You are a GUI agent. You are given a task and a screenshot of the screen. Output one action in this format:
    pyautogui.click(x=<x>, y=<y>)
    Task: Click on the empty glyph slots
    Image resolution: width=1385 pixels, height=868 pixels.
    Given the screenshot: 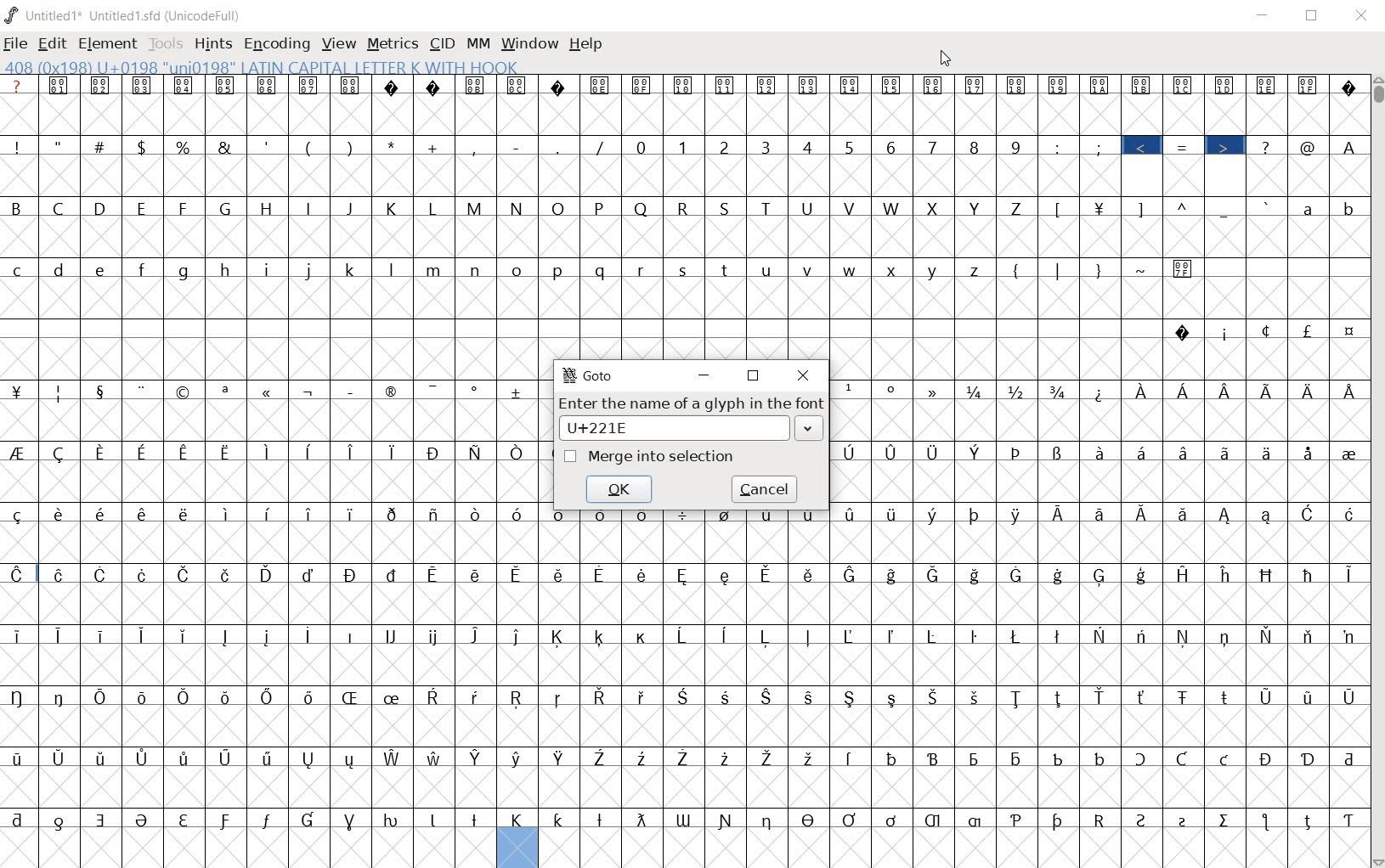 What is the action you would take?
    pyautogui.click(x=681, y=114)
    